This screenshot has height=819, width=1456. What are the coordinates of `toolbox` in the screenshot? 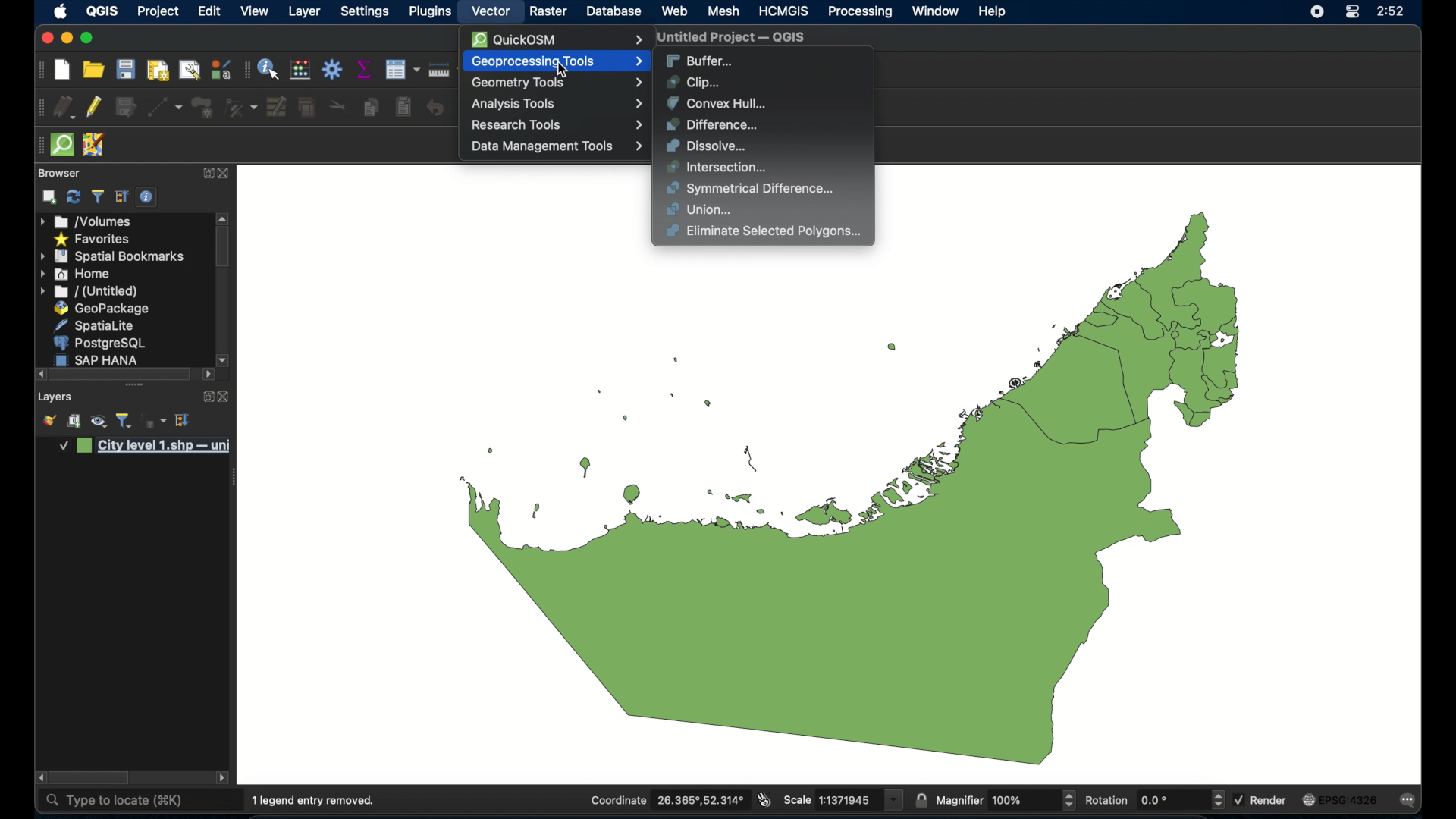 It's located at (333, 69).